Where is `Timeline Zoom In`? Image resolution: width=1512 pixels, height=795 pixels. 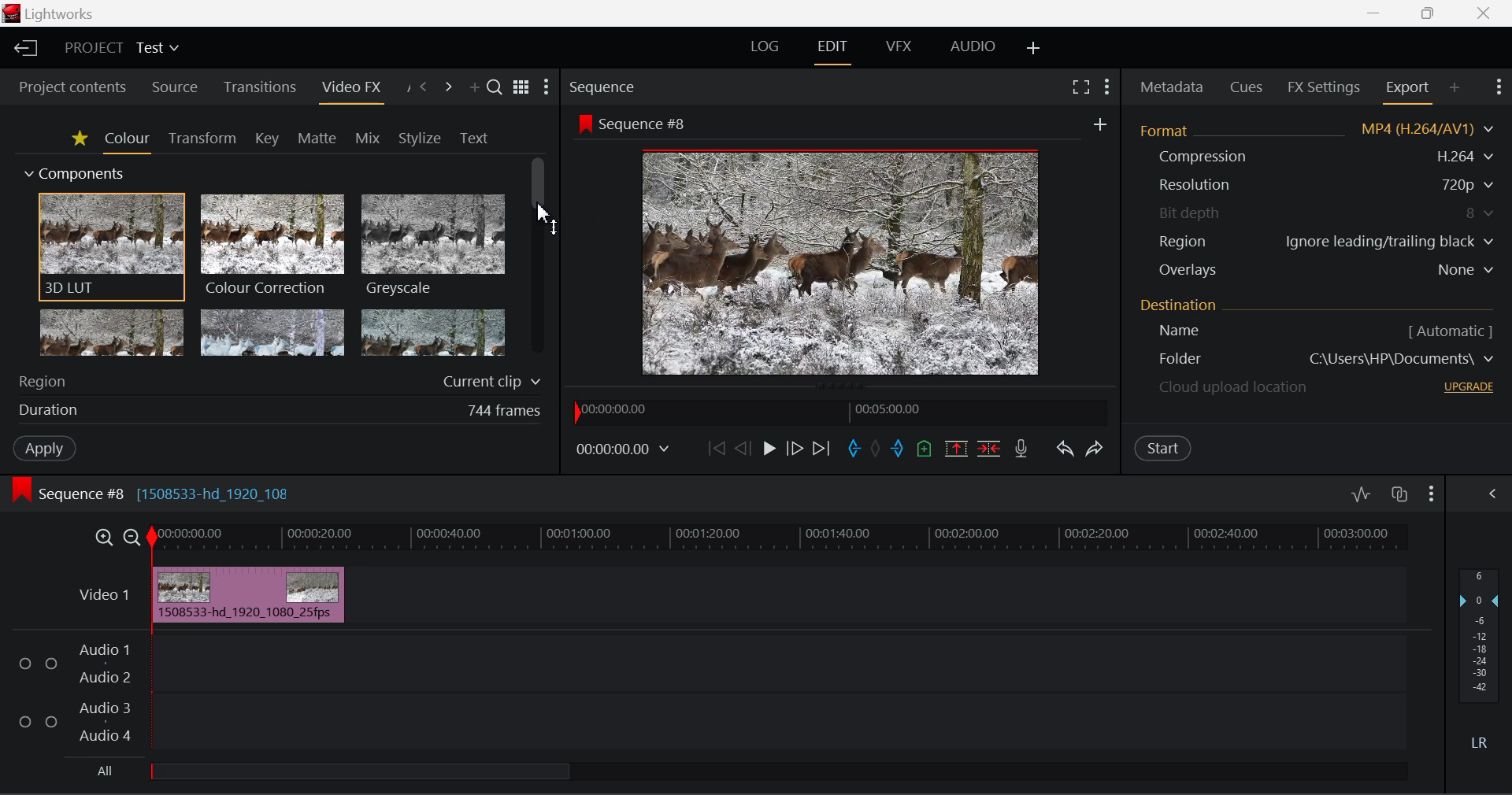
Timeline Zoom In is located at coordinates (106, 536).